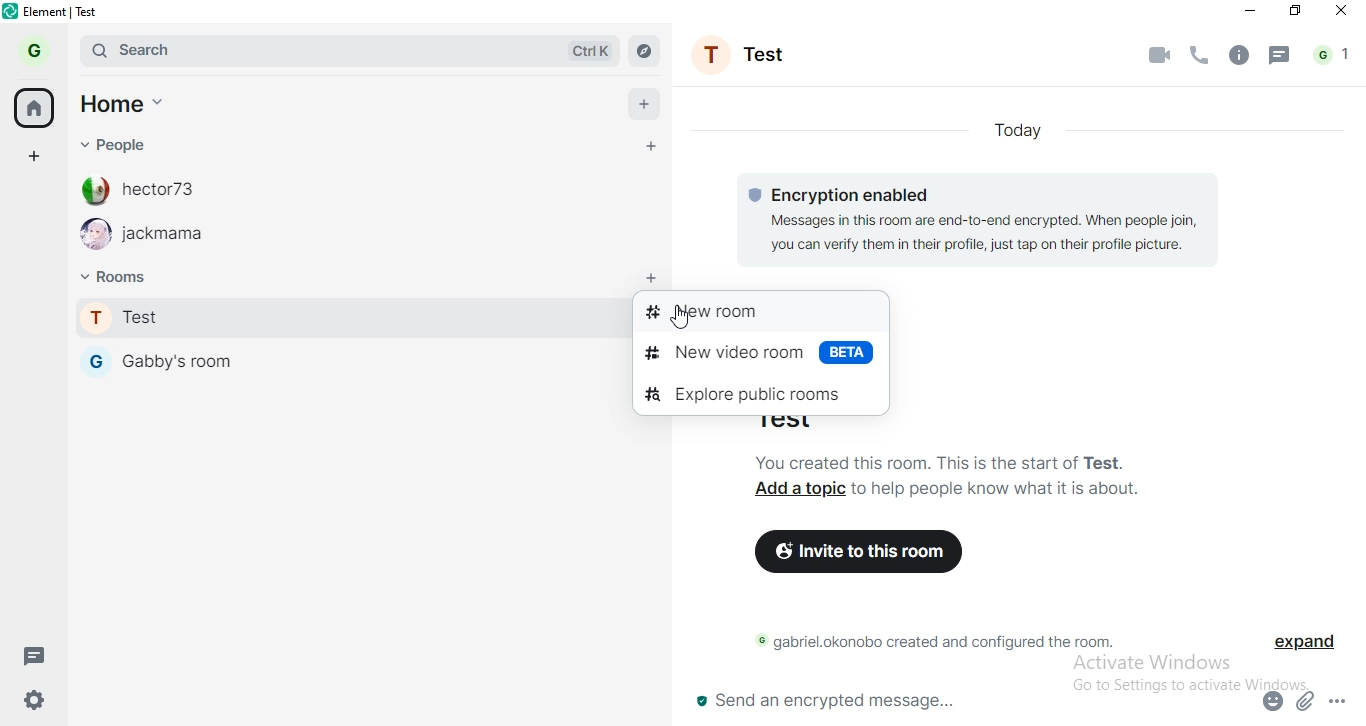  What do you see at coordinates (761, 394) in the screenshot?
I see `explore public rooms` at bounding box center [761, 394].